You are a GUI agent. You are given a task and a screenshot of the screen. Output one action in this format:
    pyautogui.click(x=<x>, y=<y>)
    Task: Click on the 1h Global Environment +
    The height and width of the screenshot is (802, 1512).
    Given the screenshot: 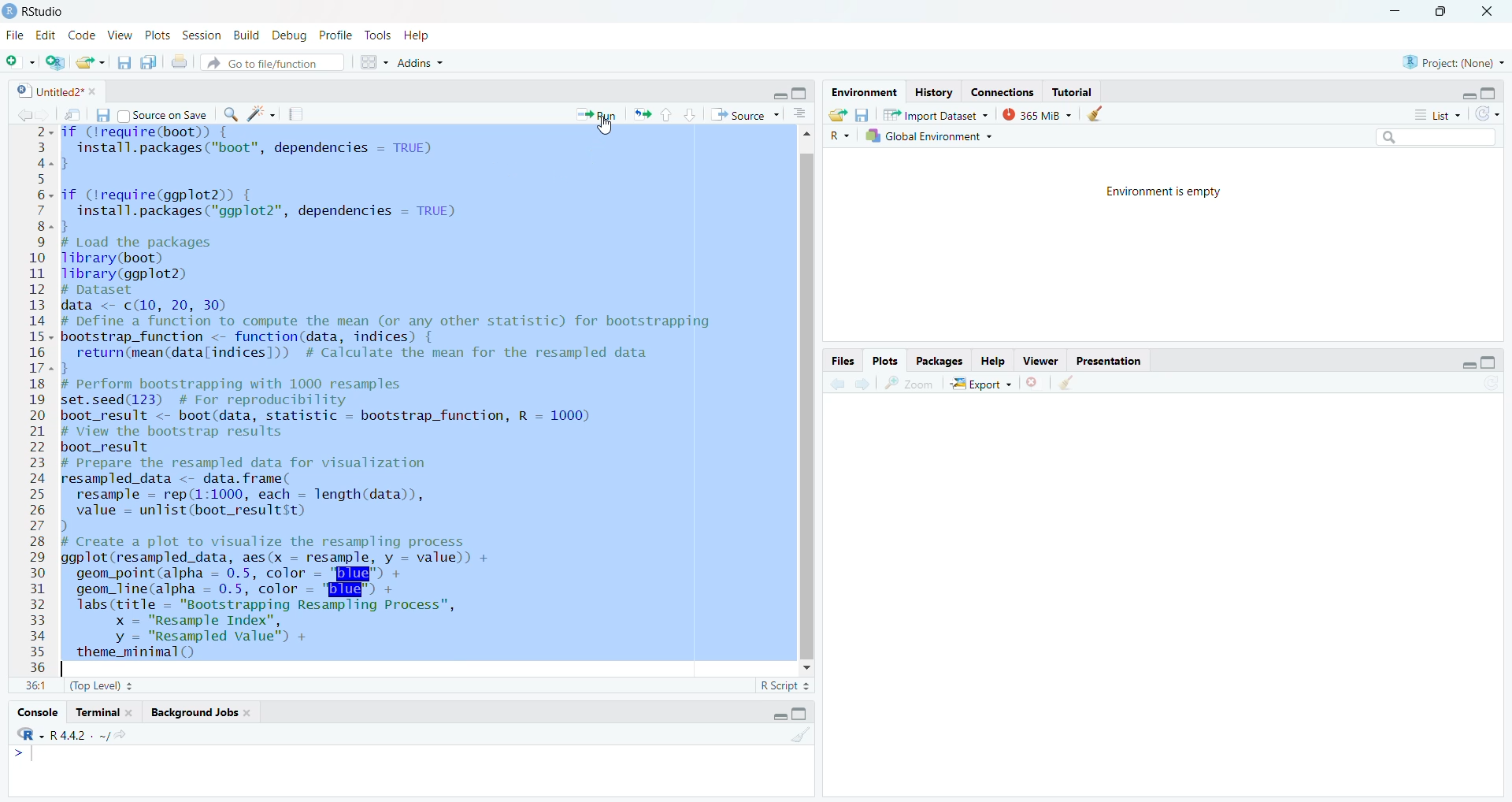 What is the action you would take?
    pyautogui.click(x=928, y=138)
    